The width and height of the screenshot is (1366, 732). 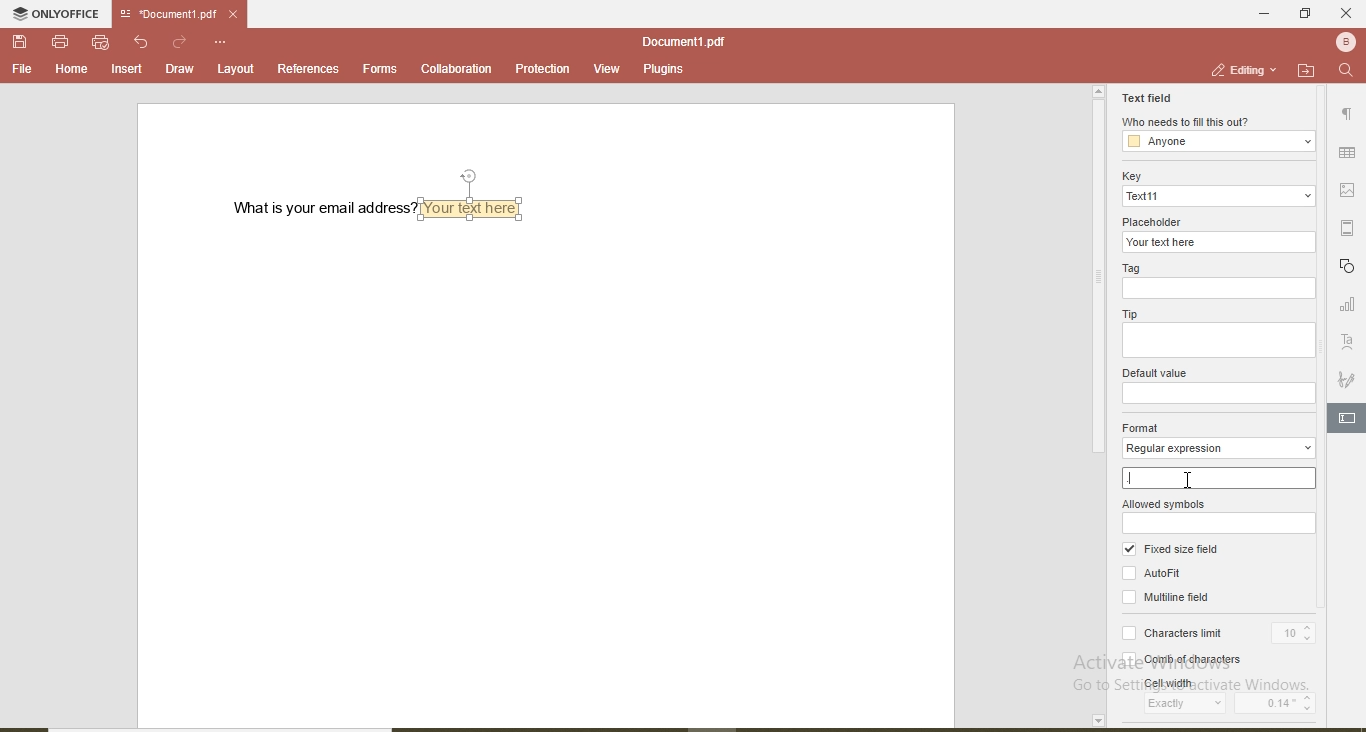 I want to click on insert, so click(x=128, y=70).